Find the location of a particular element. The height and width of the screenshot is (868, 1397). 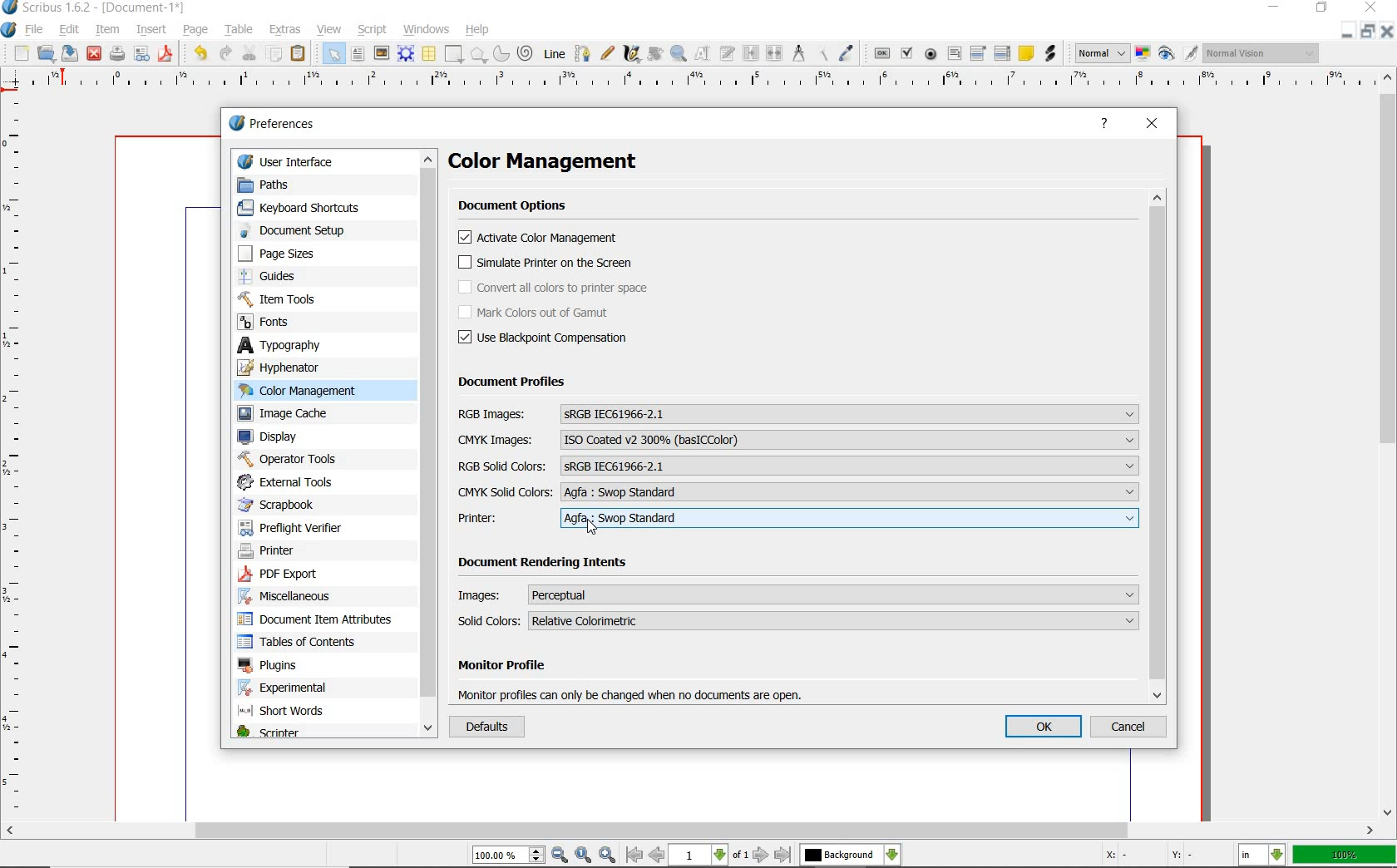

cut is located at coordinates (249, 52).